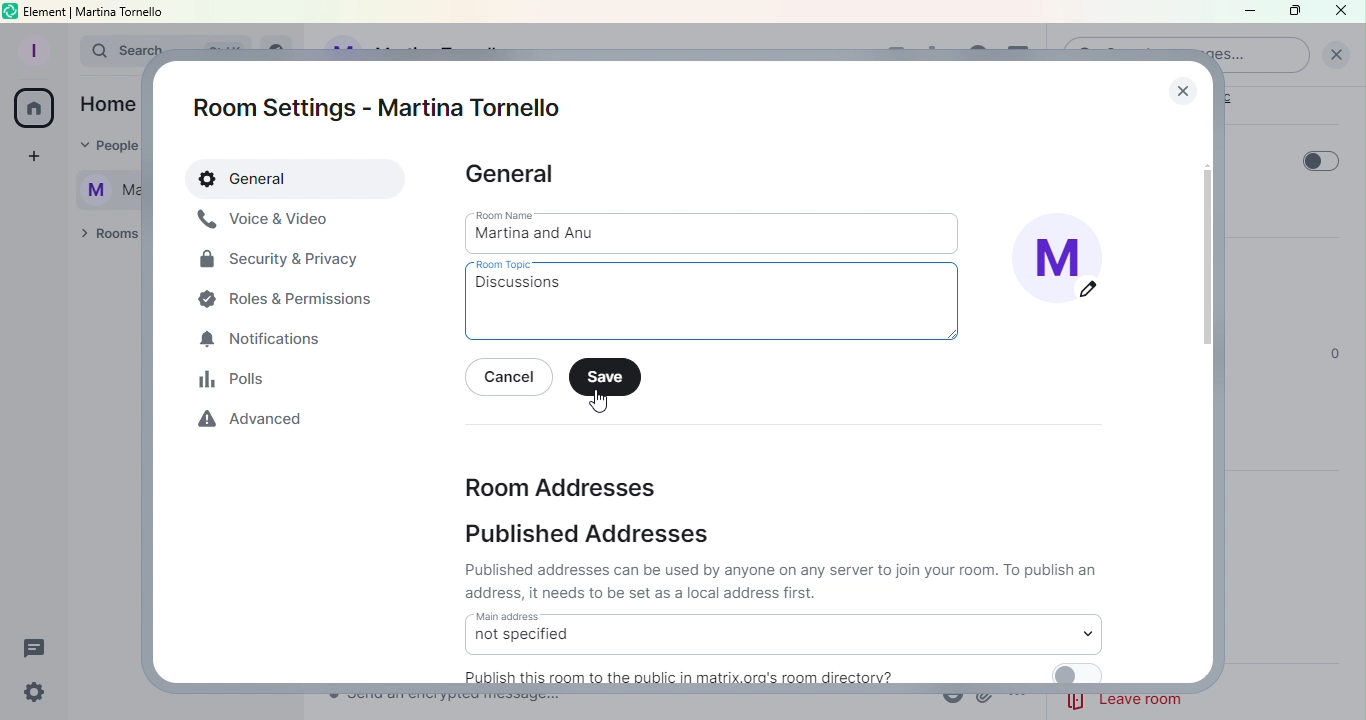  Describe the element at coordinates (239, 379) in the screenshot. I see `Polls` at that location.